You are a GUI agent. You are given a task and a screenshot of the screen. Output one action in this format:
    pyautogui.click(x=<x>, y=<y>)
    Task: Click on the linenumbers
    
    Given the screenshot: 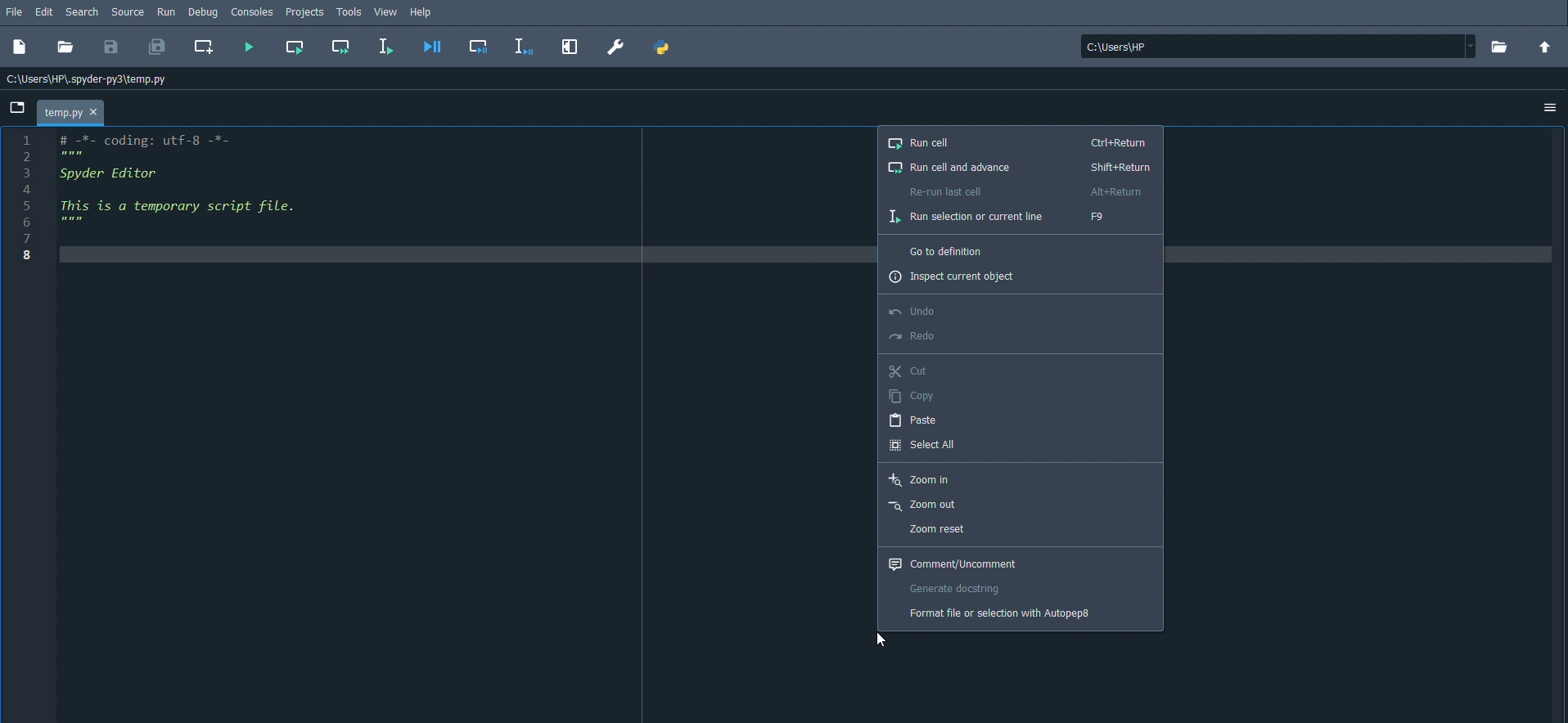 What is the action you would take?
    pyautogui.click(x=27, y=200)
    